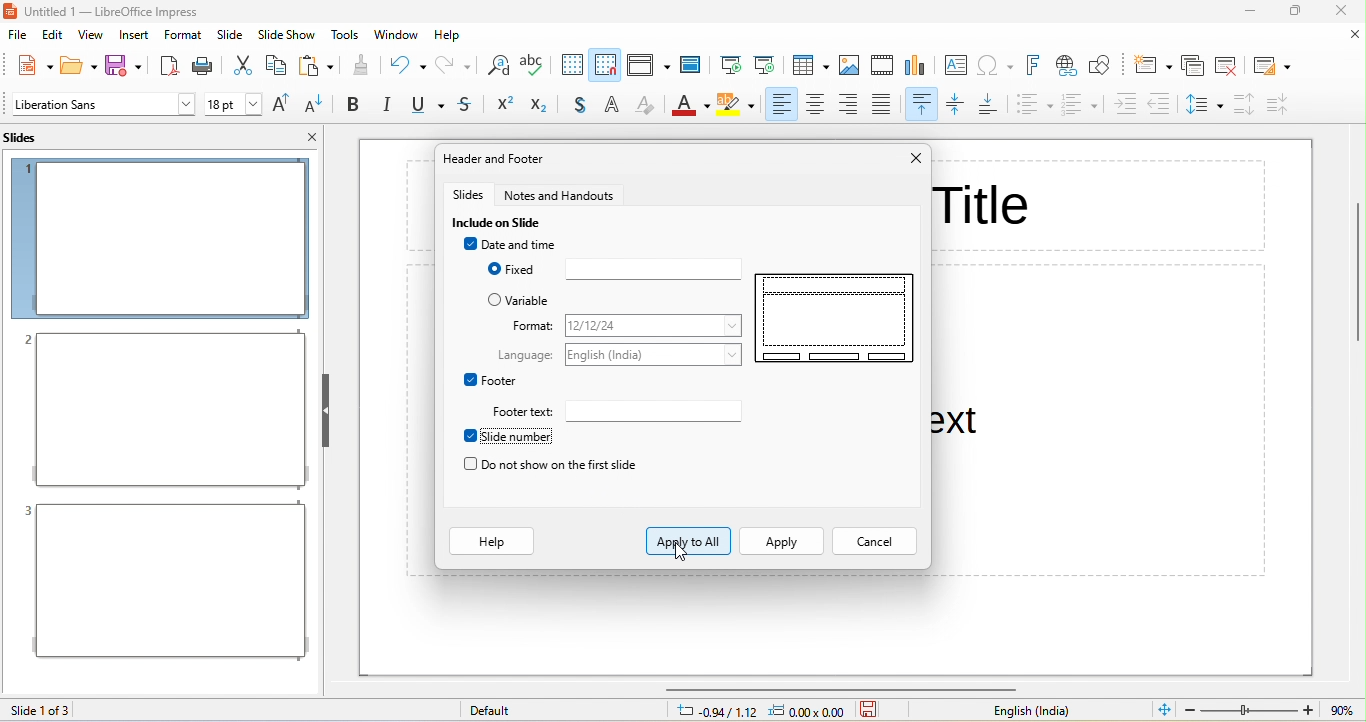 The image size is (1366, 722). What do you see at coordinates (503, 105) in the screenshot?
I see `superscript` at bounding box center [503, 105].